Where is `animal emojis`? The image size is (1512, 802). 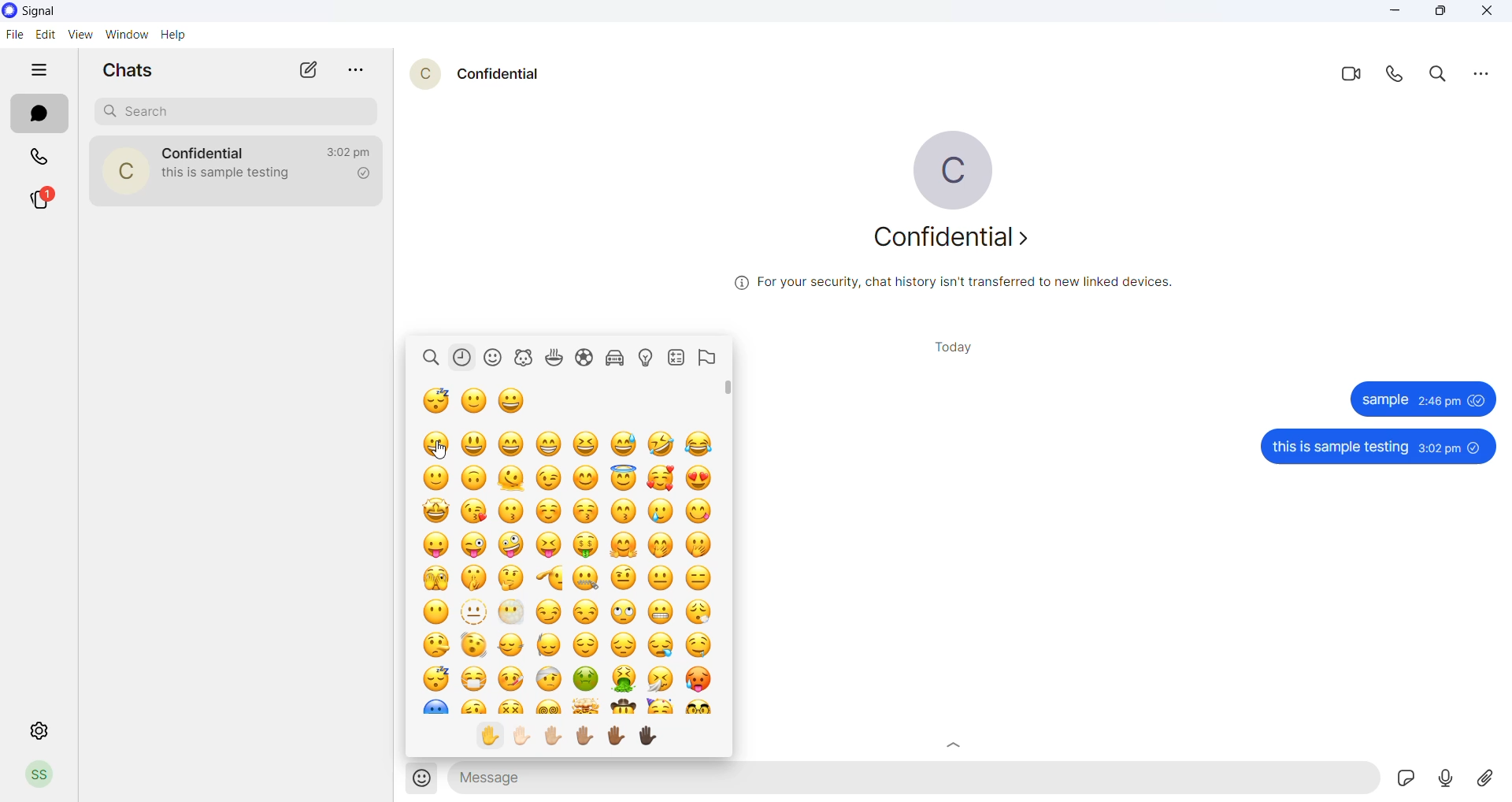
animal emojis is located at coordinates (526, 358).